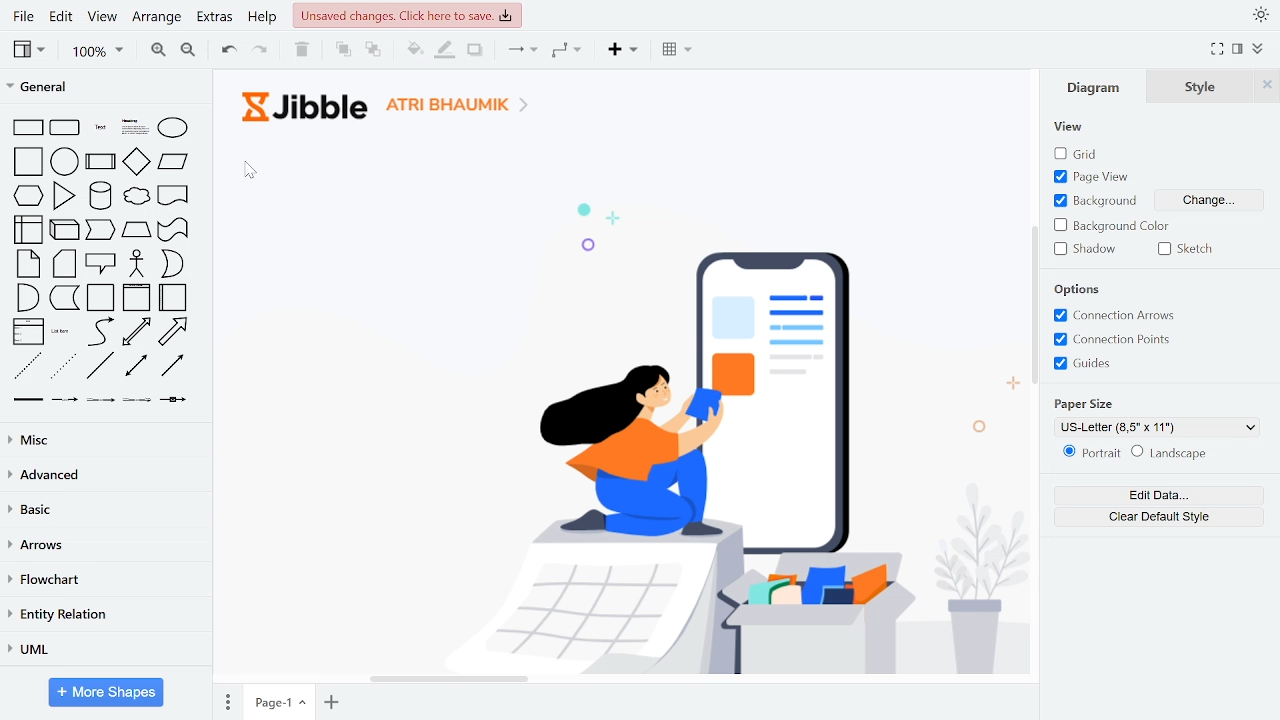  What do you see at coordinates (620, 51) in the screenshot?
I see `insert` at bounding box center [620, 51].